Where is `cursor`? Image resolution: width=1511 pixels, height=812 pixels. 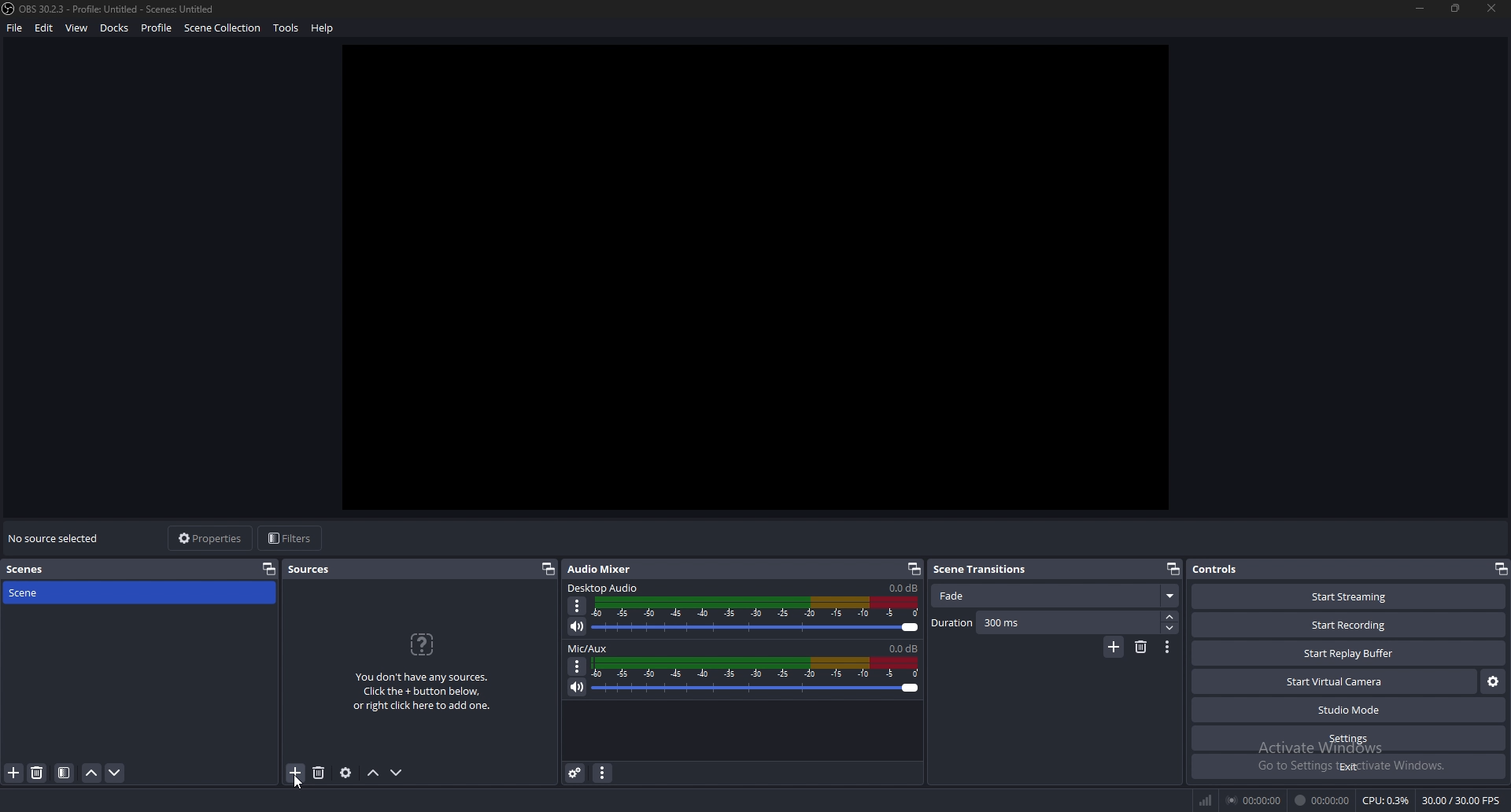
cursor is located at coordinates (294, 784).